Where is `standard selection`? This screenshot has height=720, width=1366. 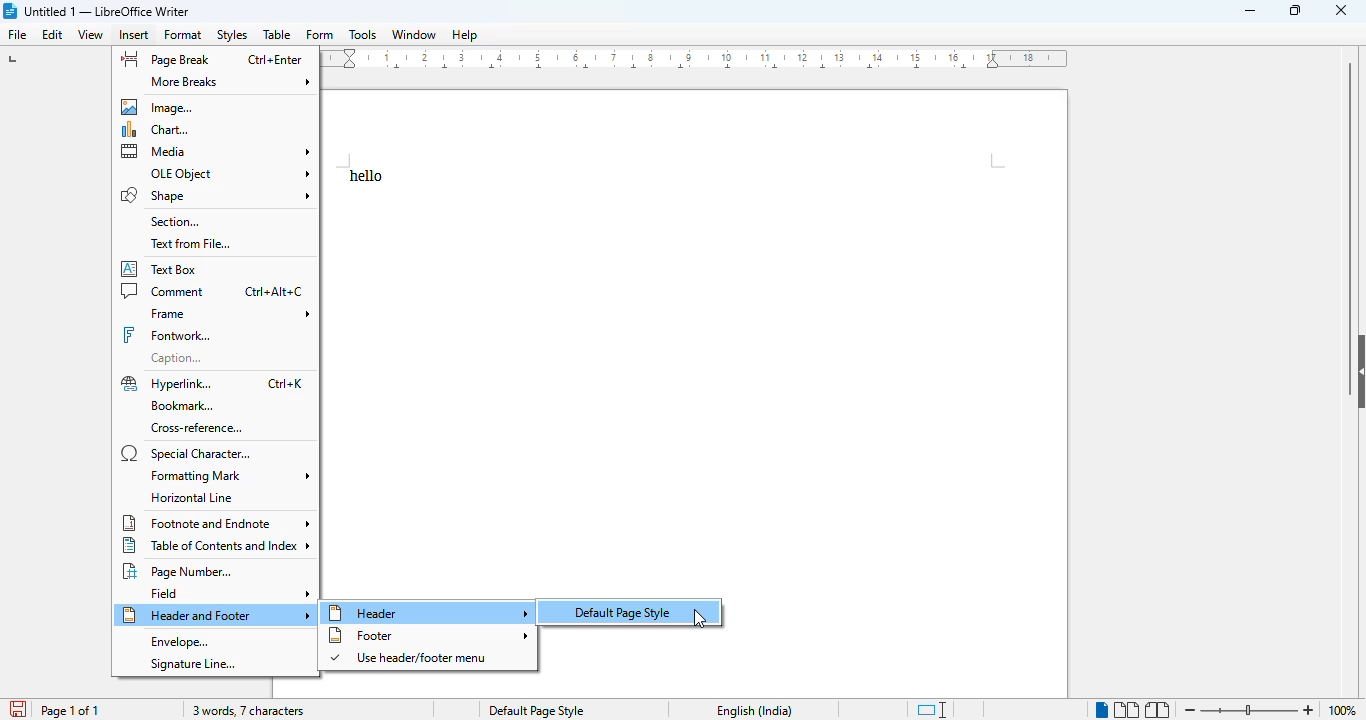 standard selection is located at coordinates (932, 710).